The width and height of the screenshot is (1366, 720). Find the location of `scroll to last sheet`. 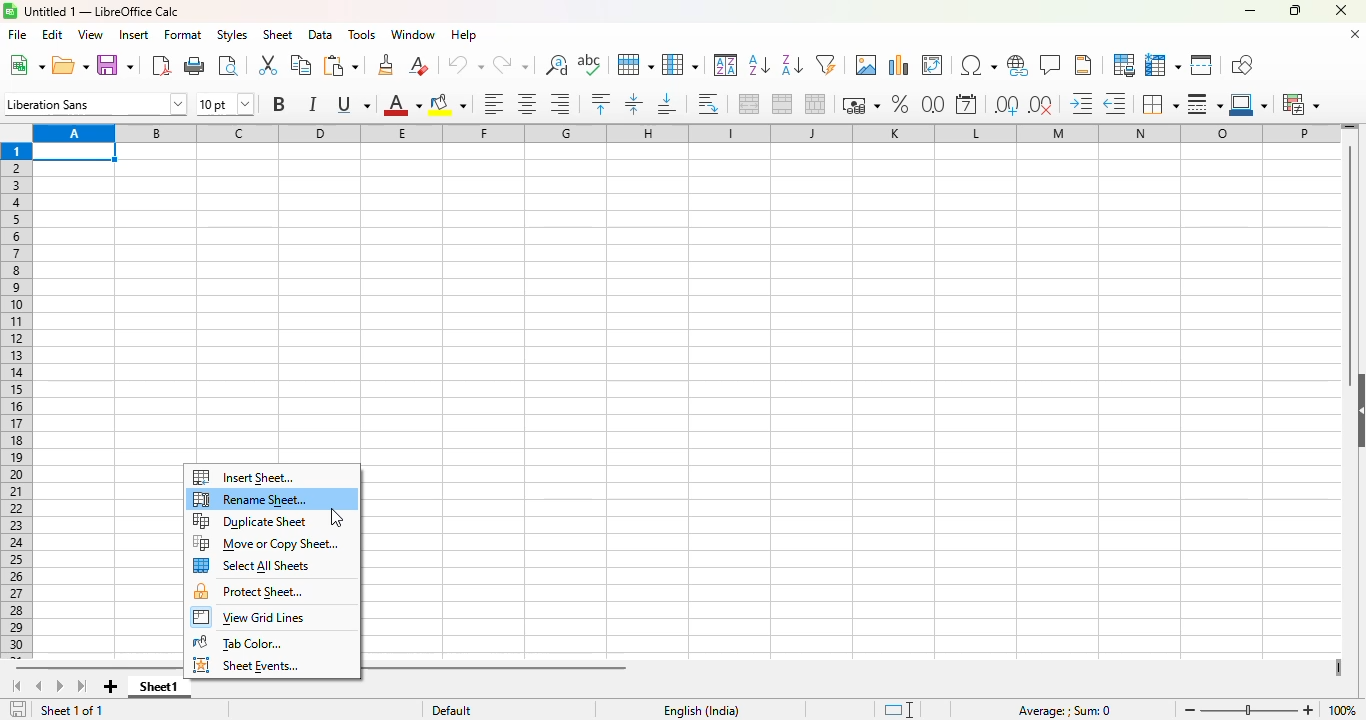

scroll to last sheet is located at coordinates (82, 687).